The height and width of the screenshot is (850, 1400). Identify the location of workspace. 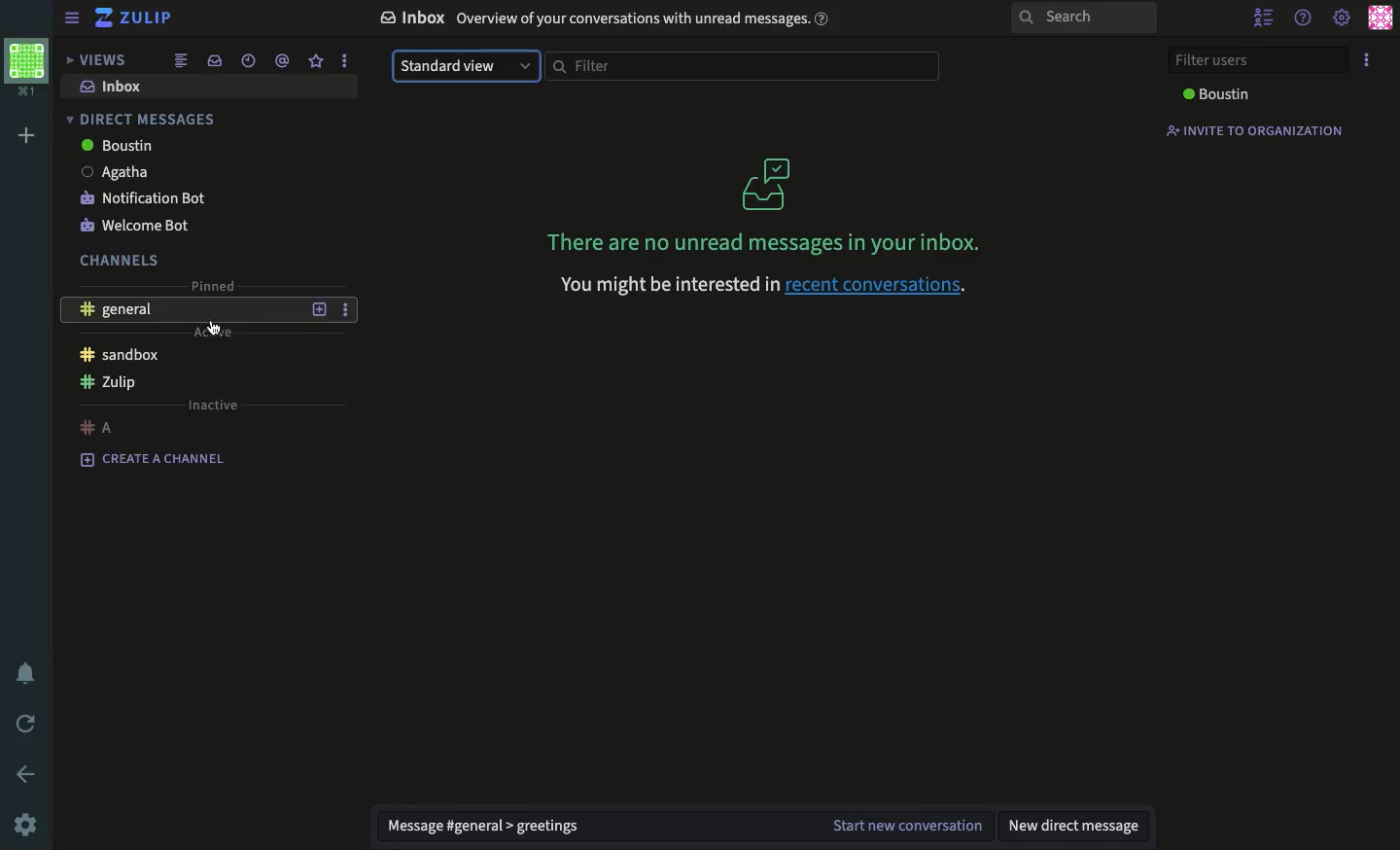
(25, 67).